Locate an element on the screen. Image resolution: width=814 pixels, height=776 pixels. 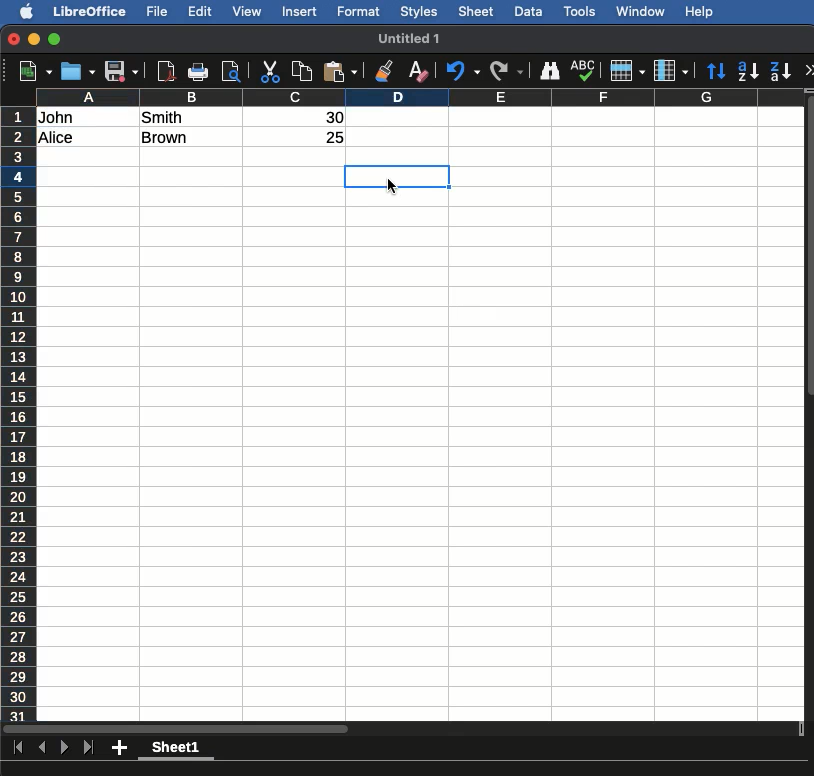
Window is located at coordinates (644, 12).